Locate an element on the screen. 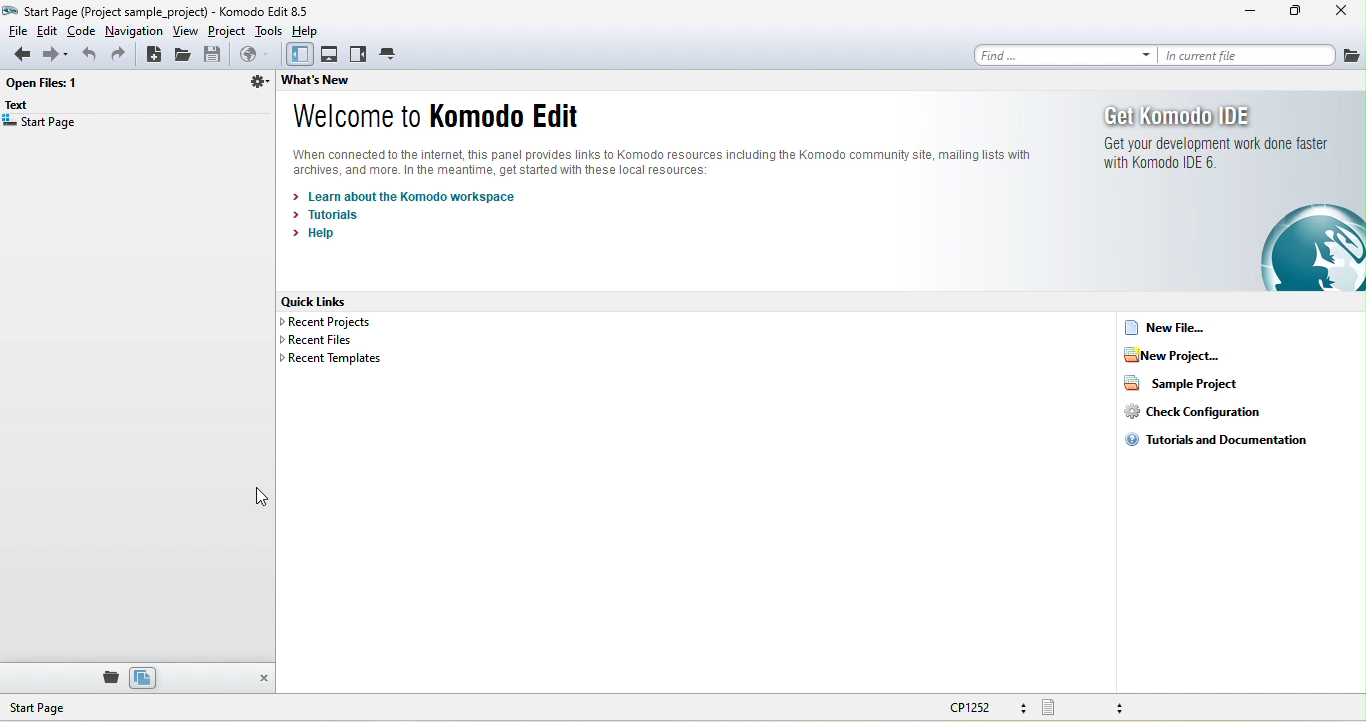  get komodo ide is located at coordinates (1216, 145).